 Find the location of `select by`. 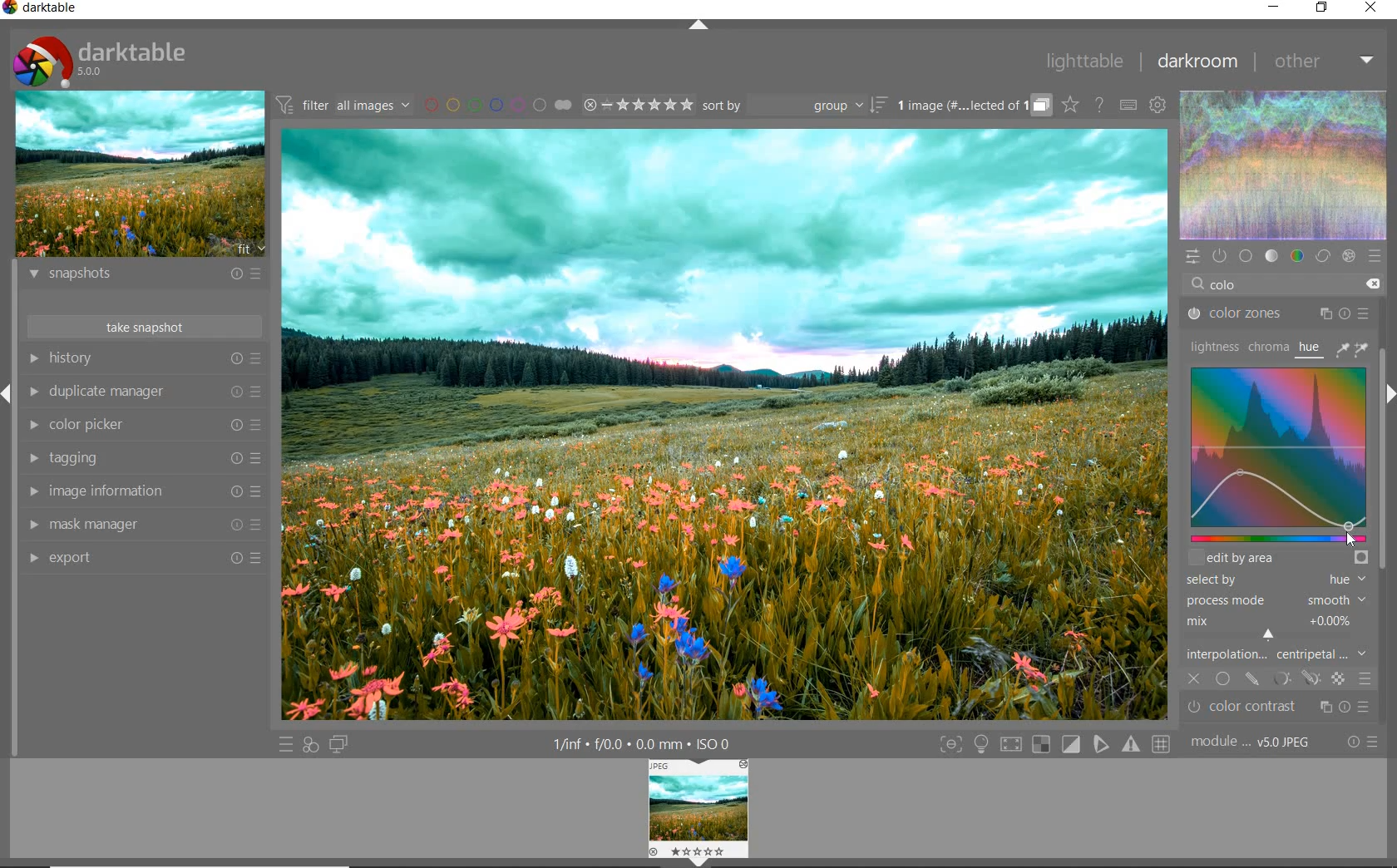

select by is located at coordinates (1275, 580).